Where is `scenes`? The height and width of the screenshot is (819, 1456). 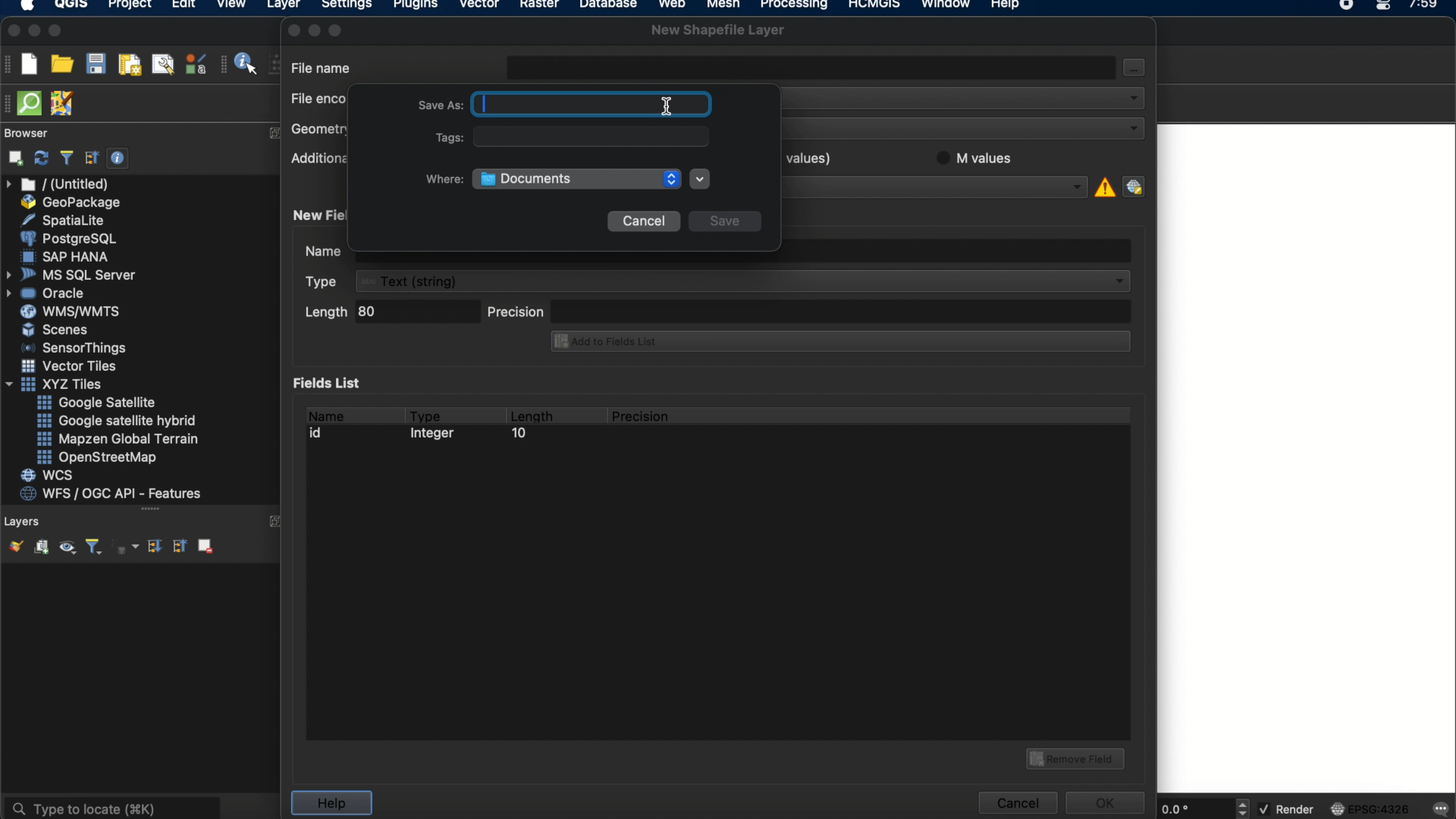
scenes is located at coordinates (56, 329).